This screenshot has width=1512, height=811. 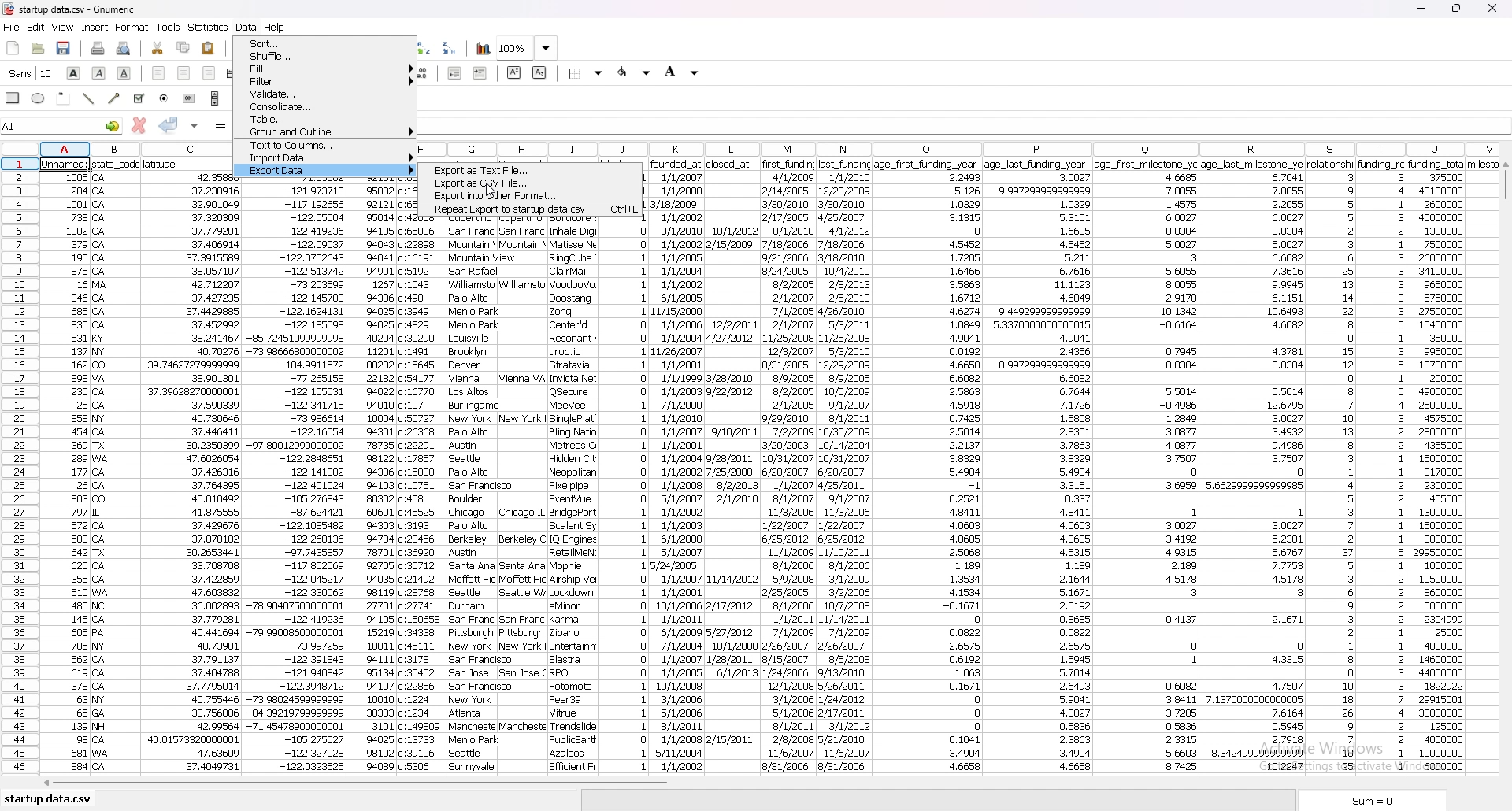 I want to click on data, so click(x=474, y=495).